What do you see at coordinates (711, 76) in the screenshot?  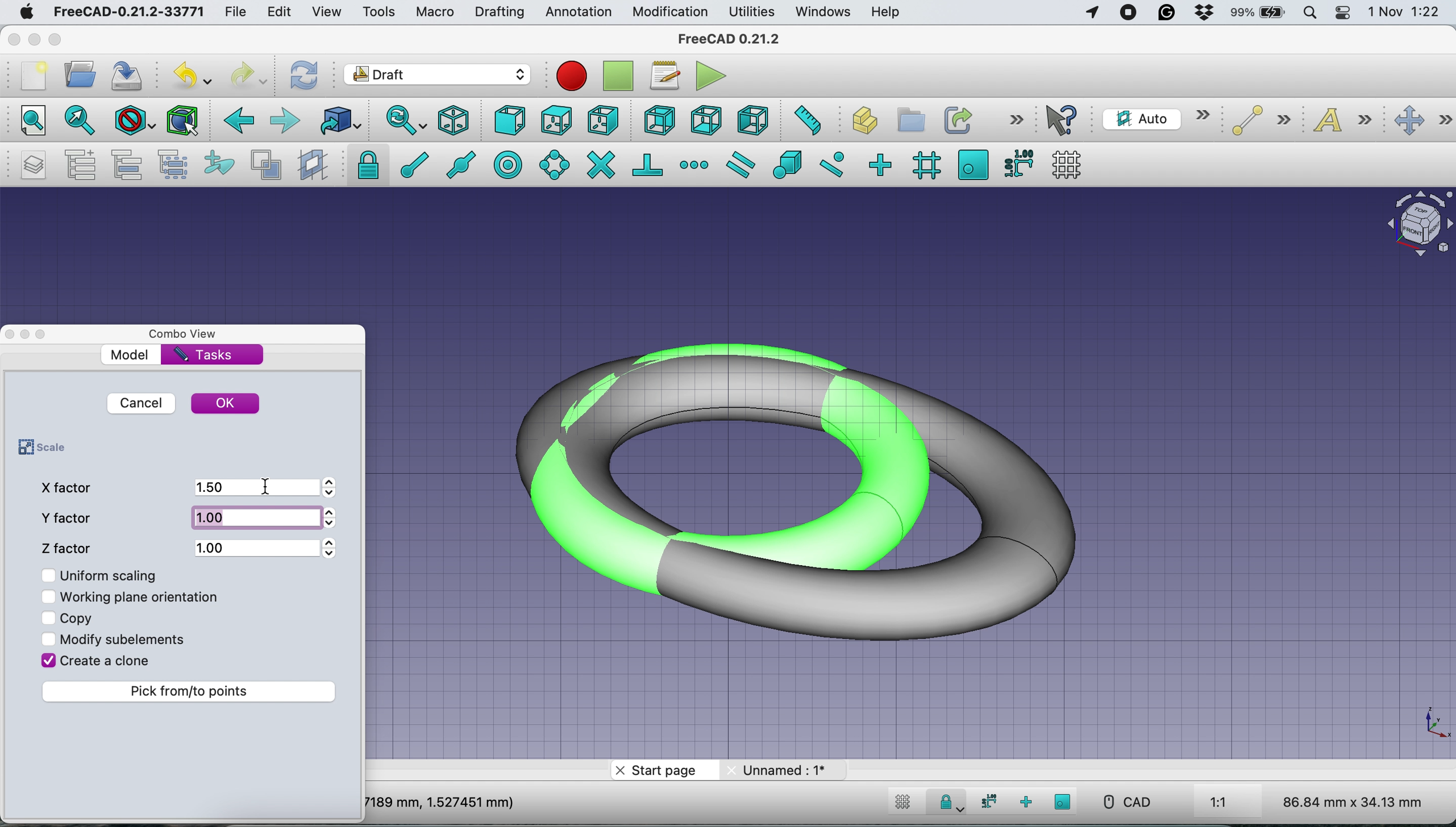 I see `execute macros` at bounding box center [711, 76].